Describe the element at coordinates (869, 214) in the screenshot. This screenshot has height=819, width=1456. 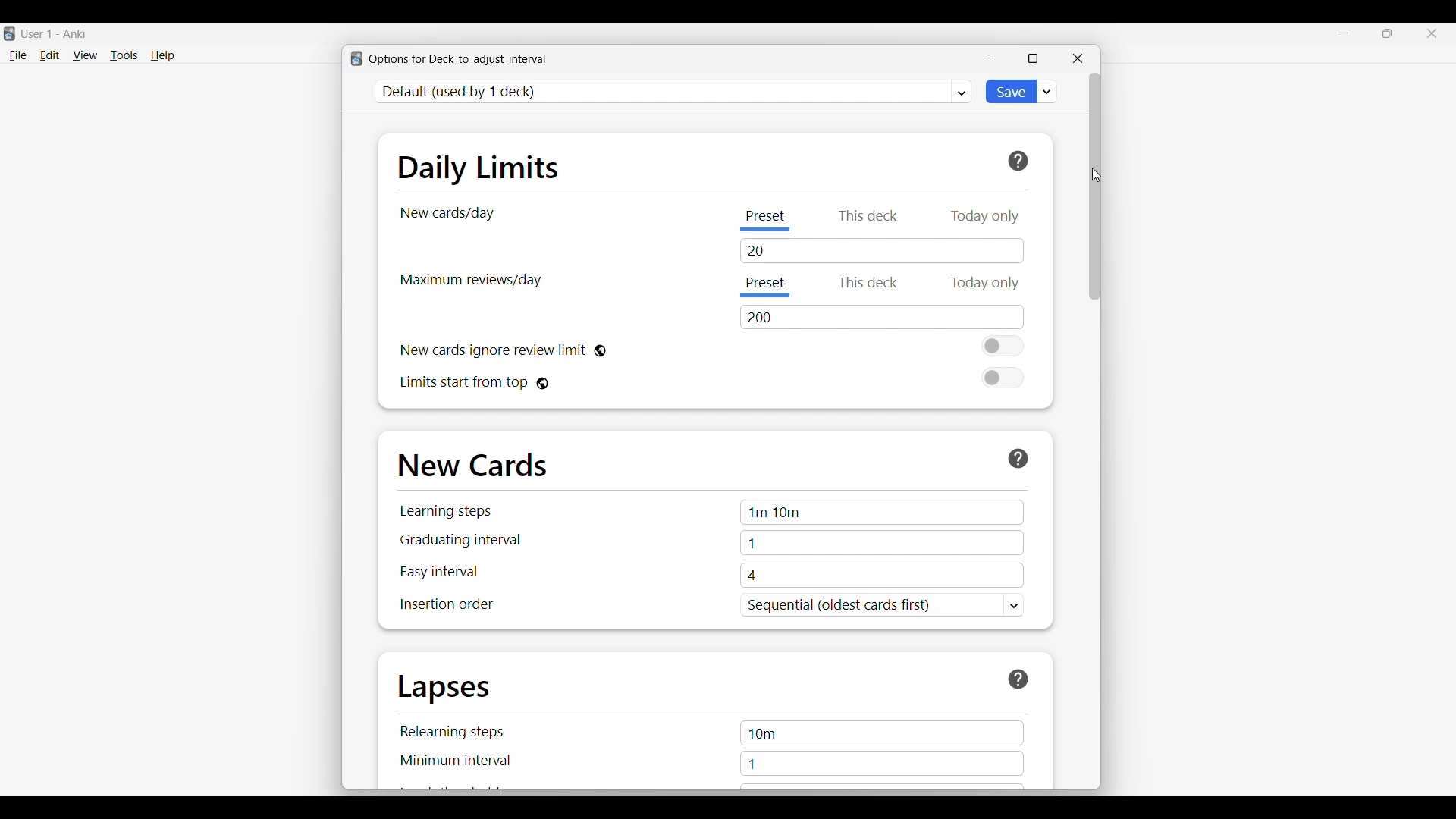
I see `This deck` at that location.